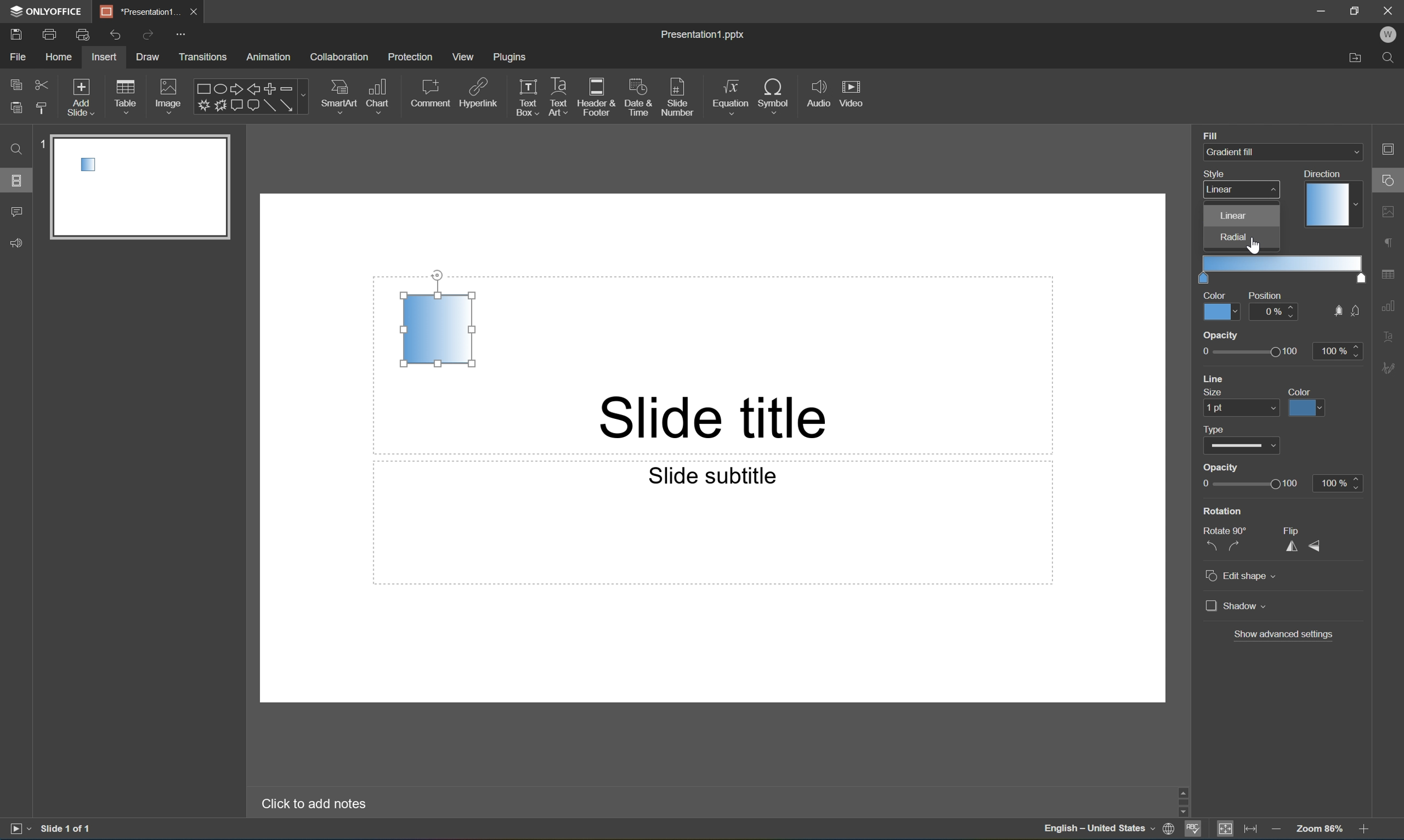 The image size is (1404, 840). I want to click on , so click(202, 106).